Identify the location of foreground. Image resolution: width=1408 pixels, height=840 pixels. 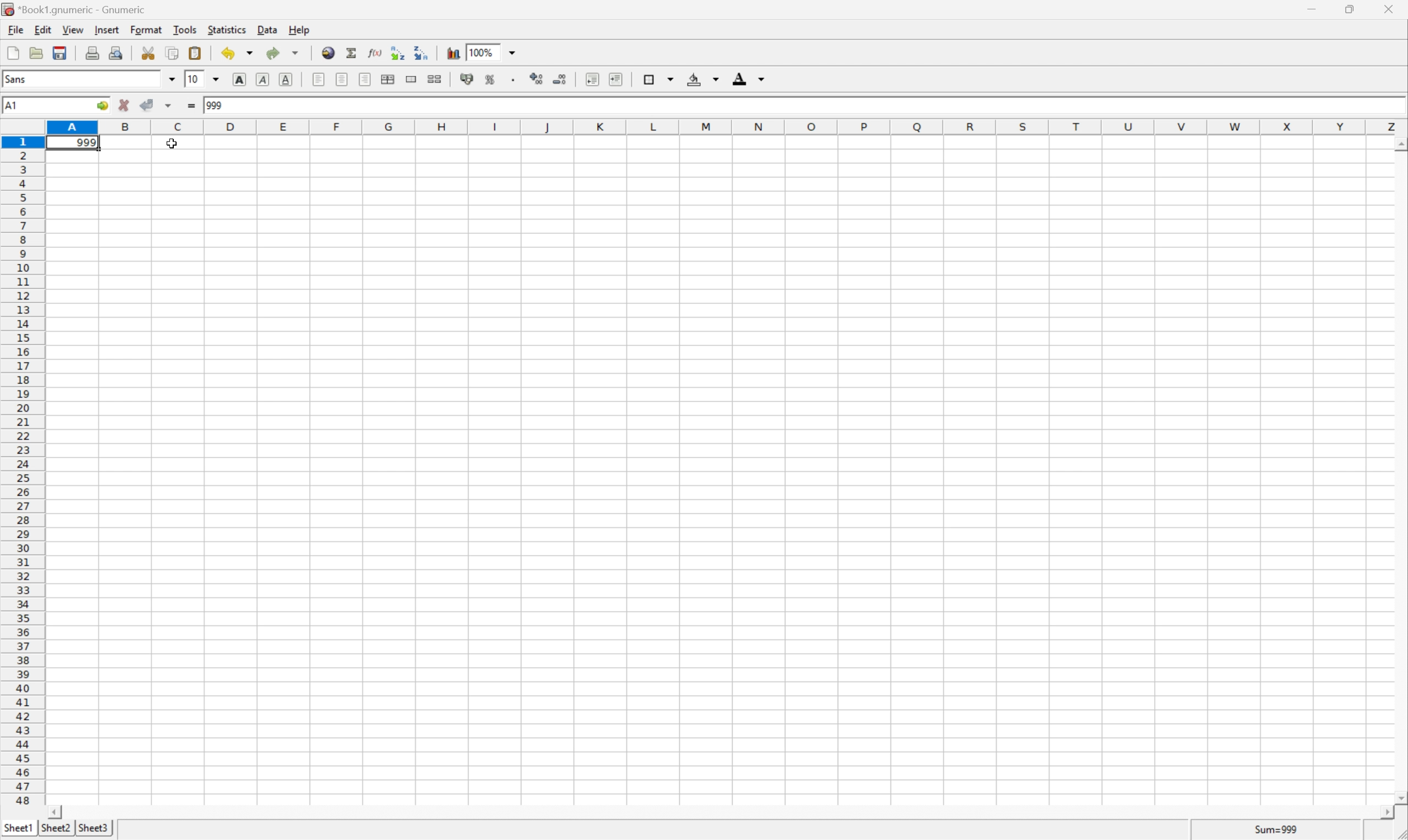
(749, 78).